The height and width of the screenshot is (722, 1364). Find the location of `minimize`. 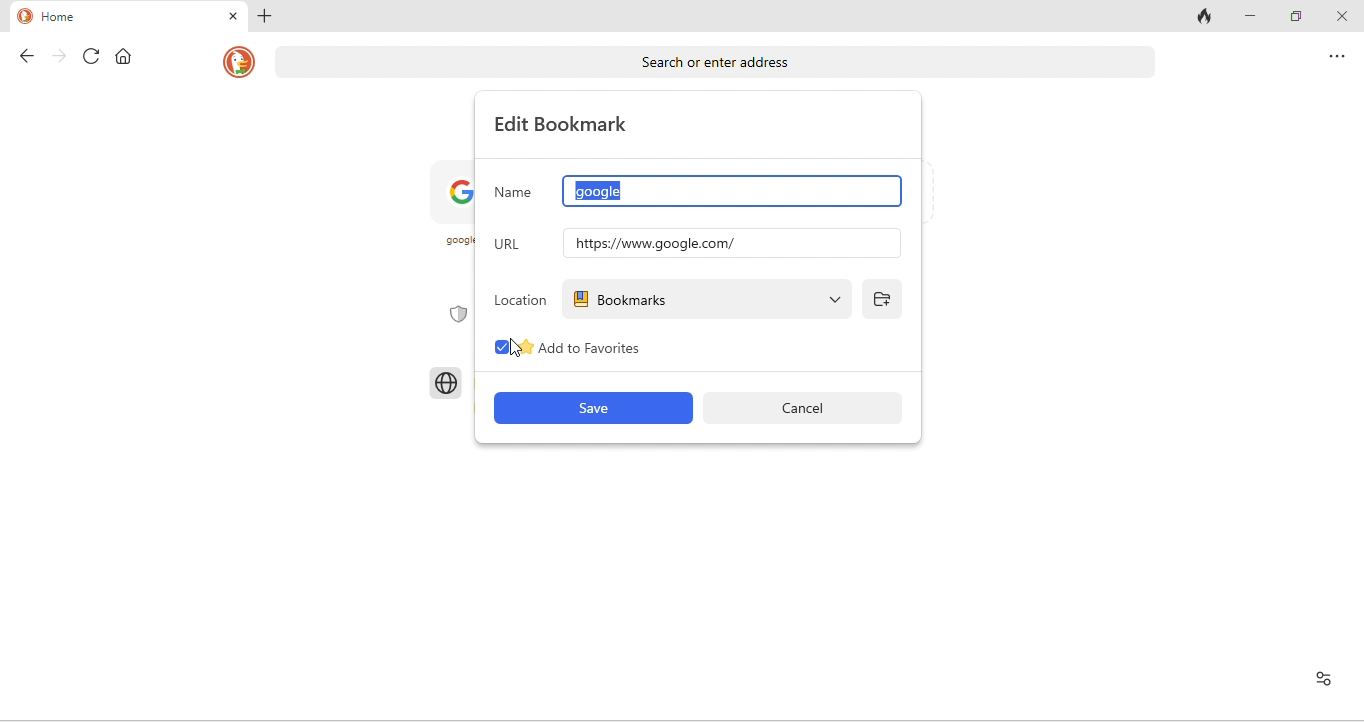

minimize is located at coordinates (1248, 16).